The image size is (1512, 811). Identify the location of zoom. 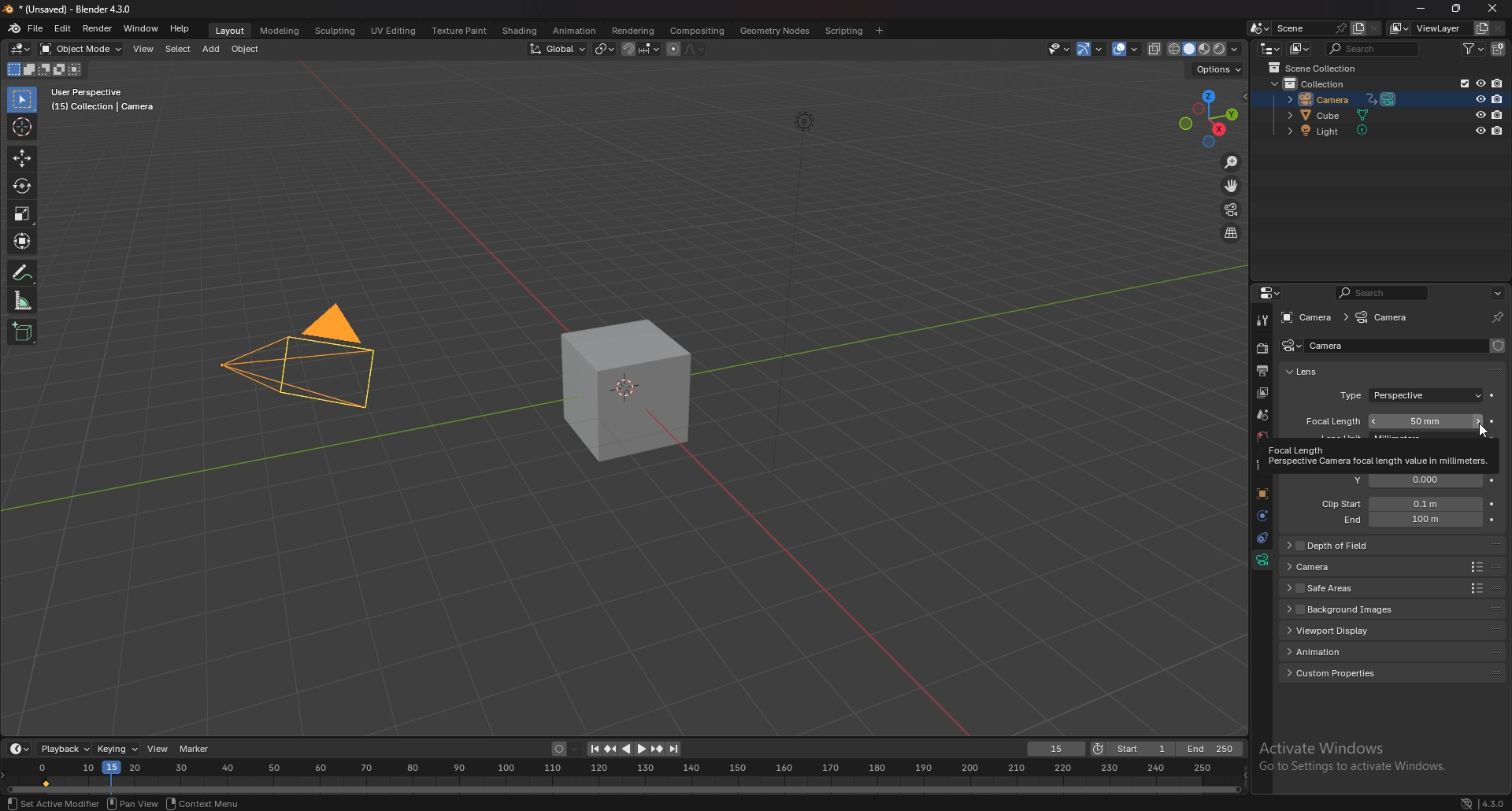
(1230, 161).